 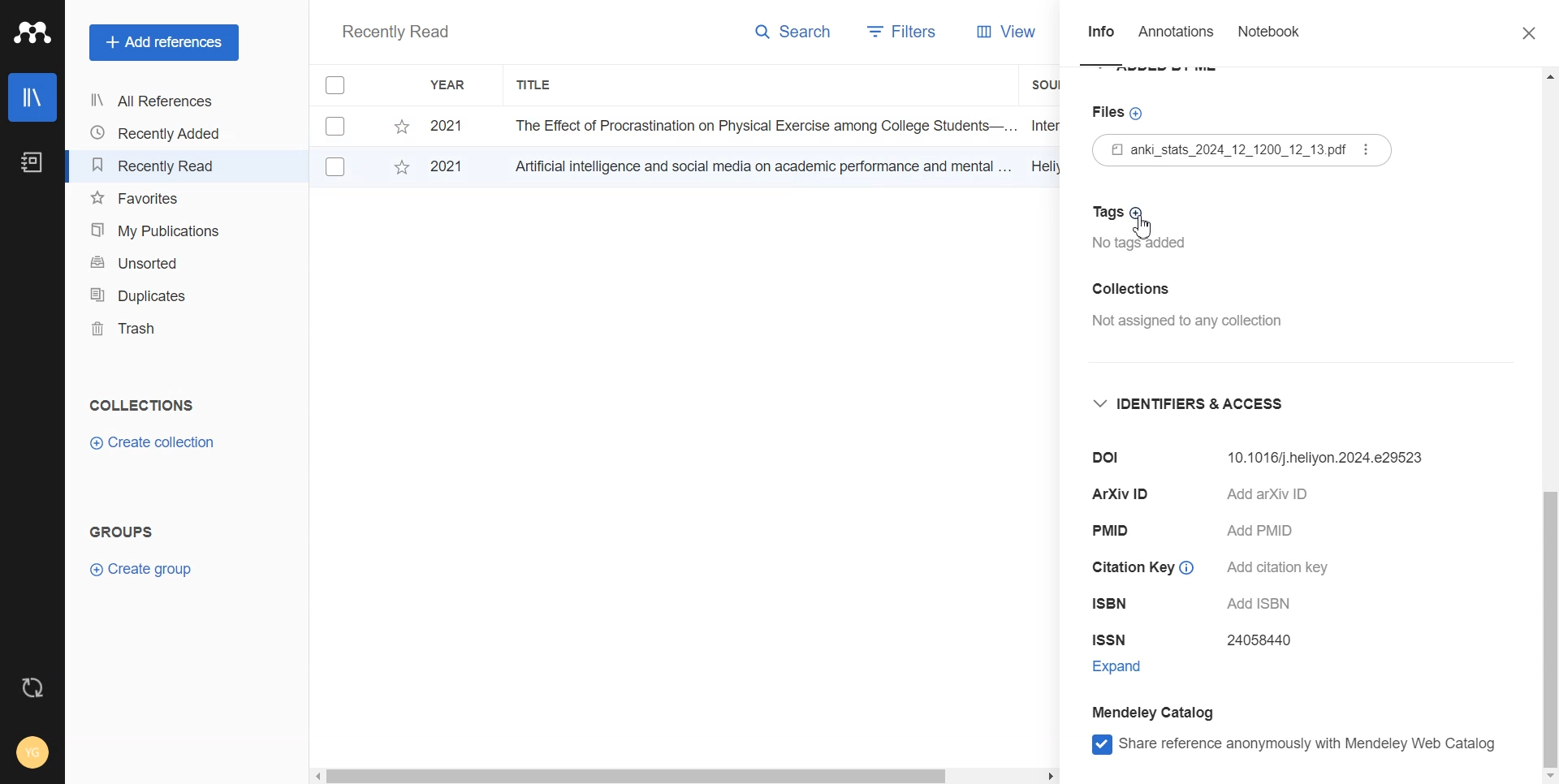 What do you see at coordinates (158, 166) in the screenshot?
I see `Recently Read` at bounding box center [158, 166].